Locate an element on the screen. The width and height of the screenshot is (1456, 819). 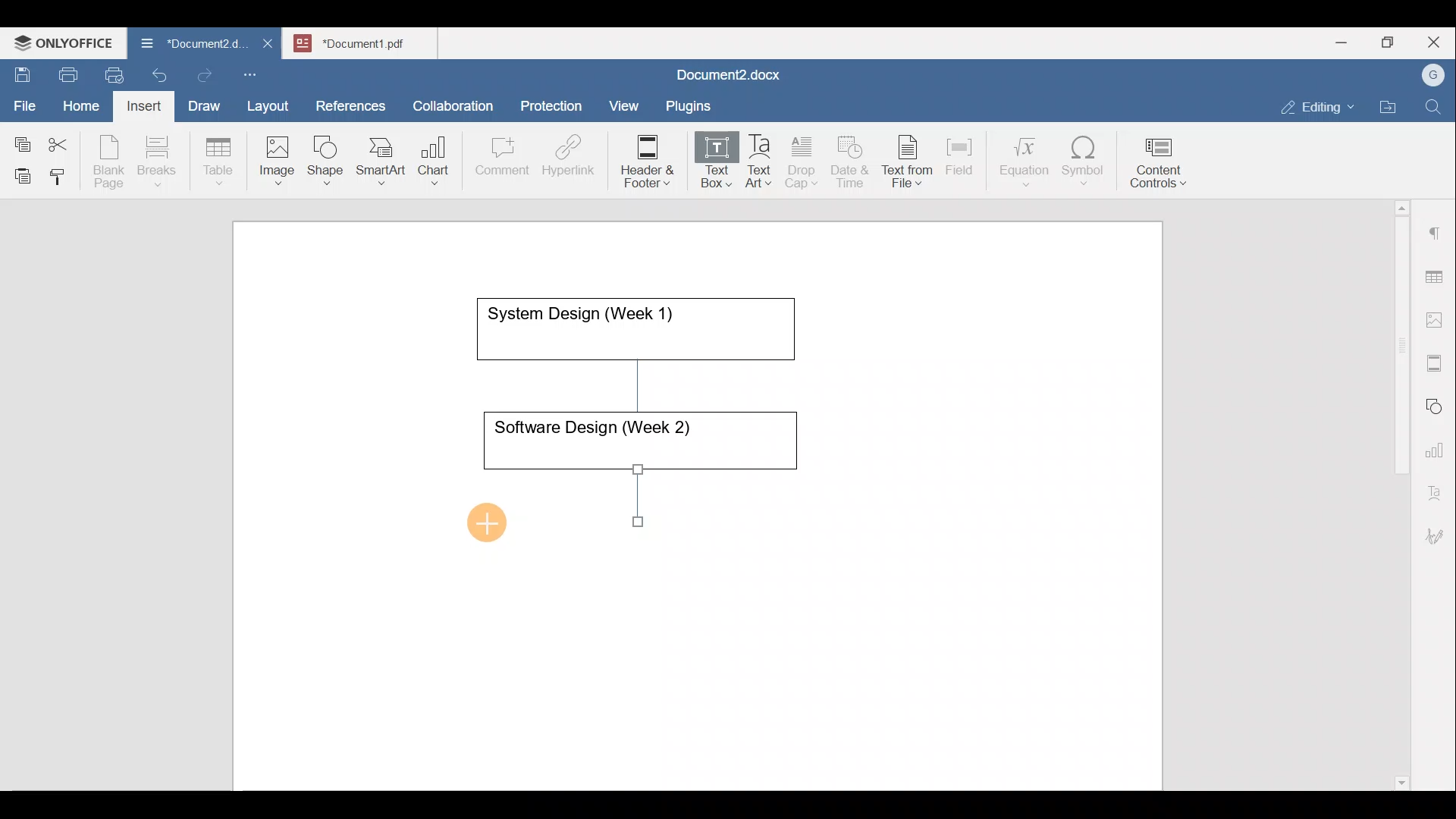
Cursor is located at coordinates (494, 517).